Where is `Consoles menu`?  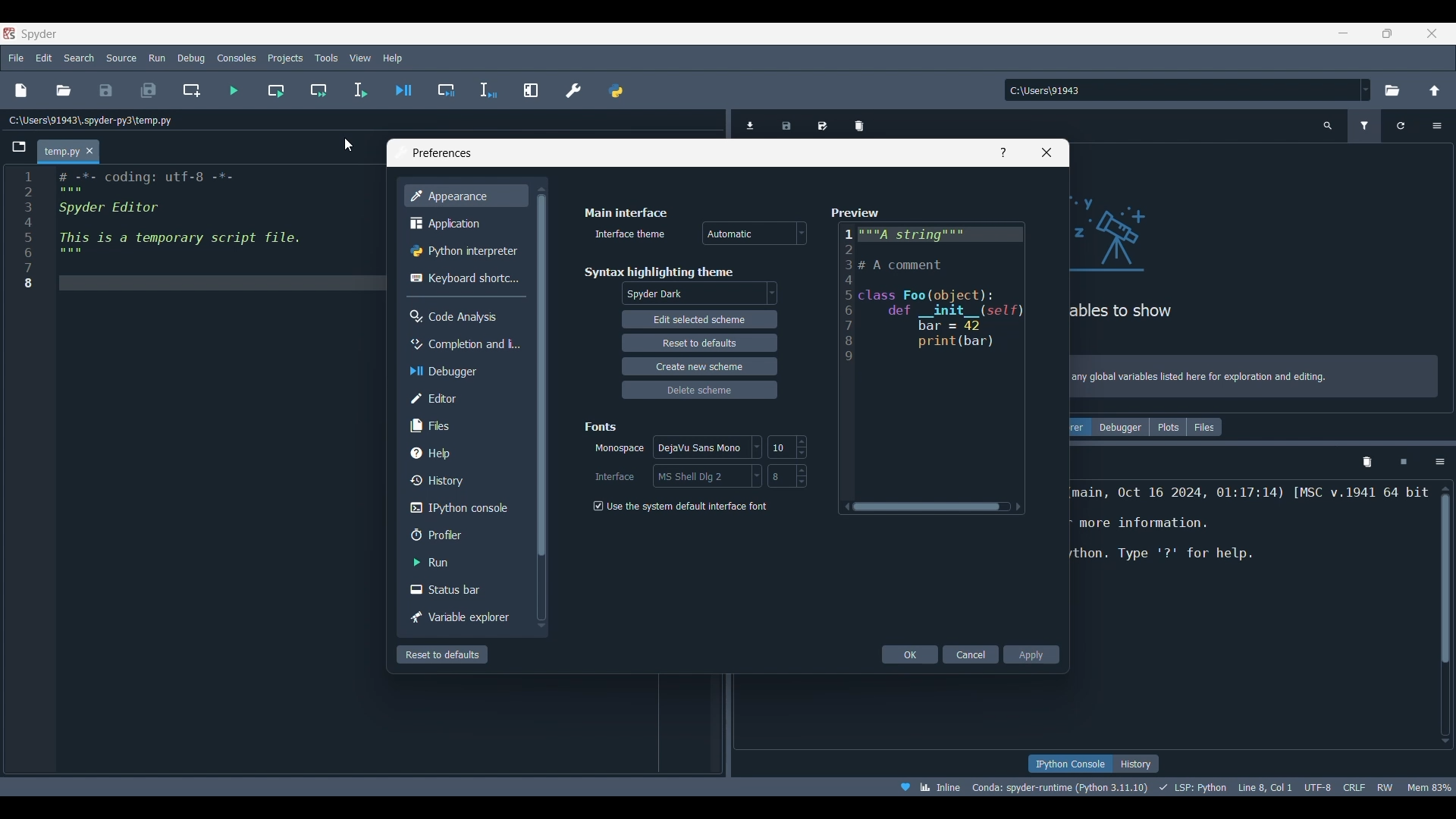
Consoles menu is located at coordinates (236, 58).